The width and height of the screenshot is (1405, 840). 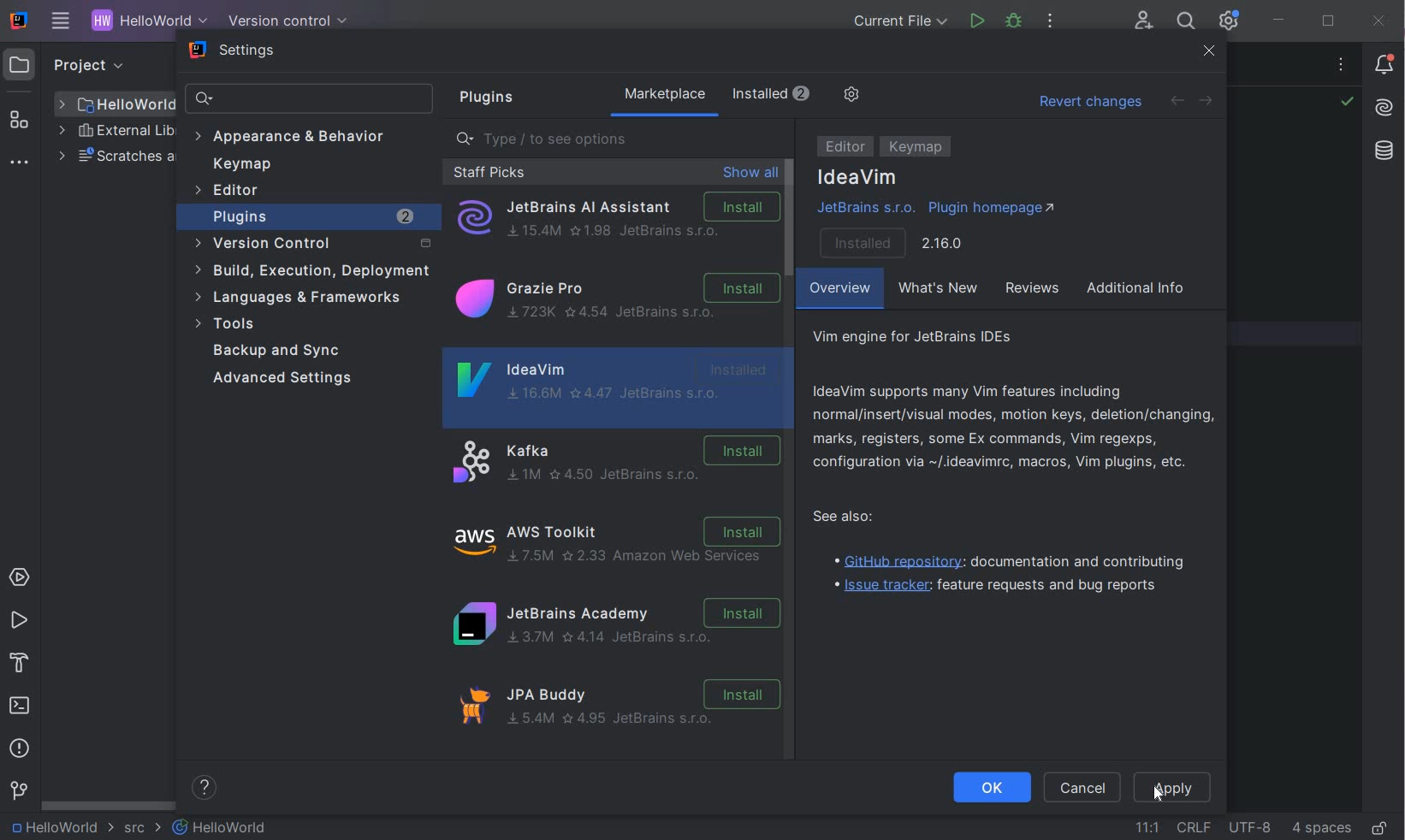 I want to click on SRC, so click(x=143, y=829).